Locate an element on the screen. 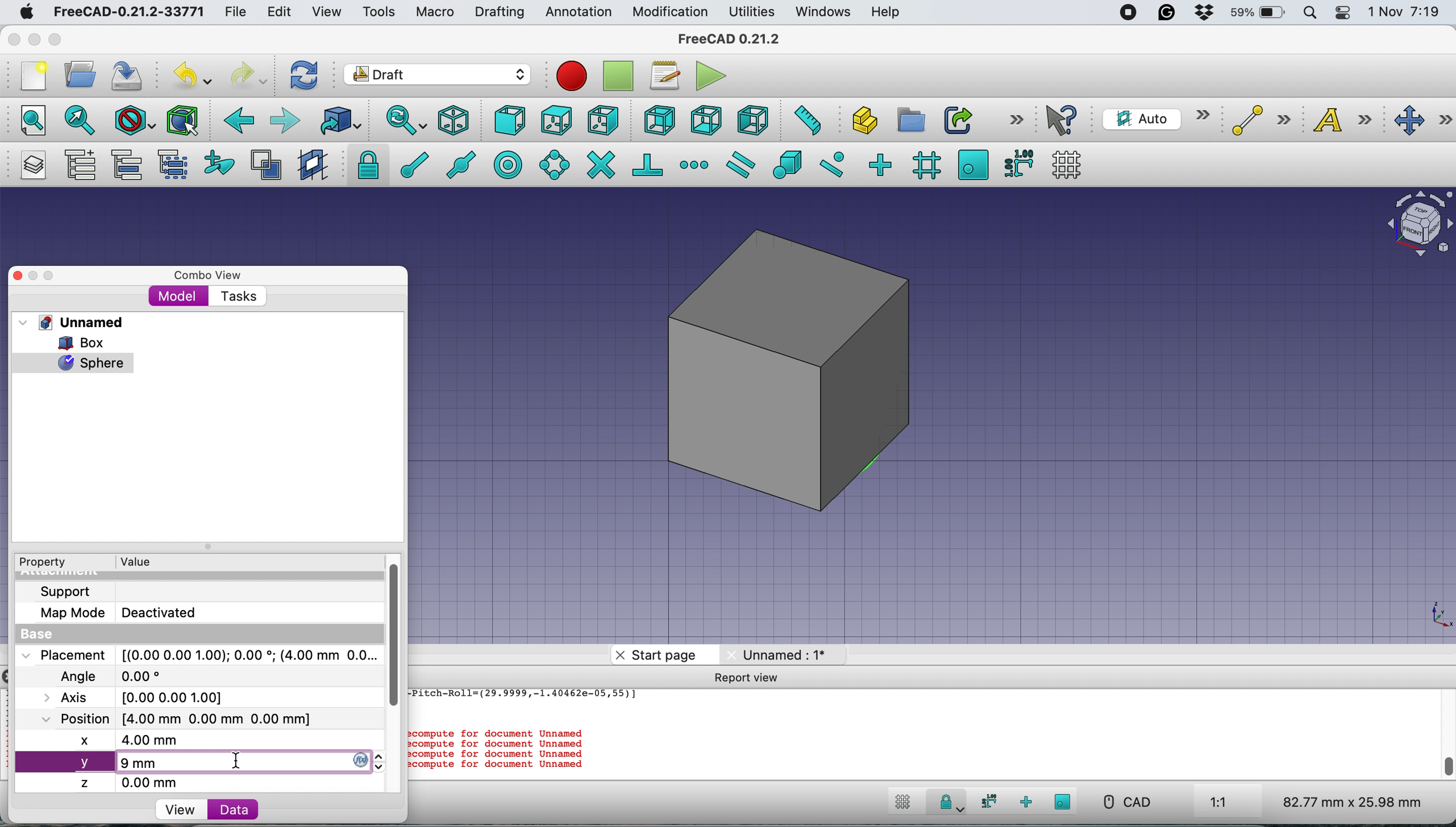 This screenshot has height=827, width=1456. box is located at coordinates (89, 343).